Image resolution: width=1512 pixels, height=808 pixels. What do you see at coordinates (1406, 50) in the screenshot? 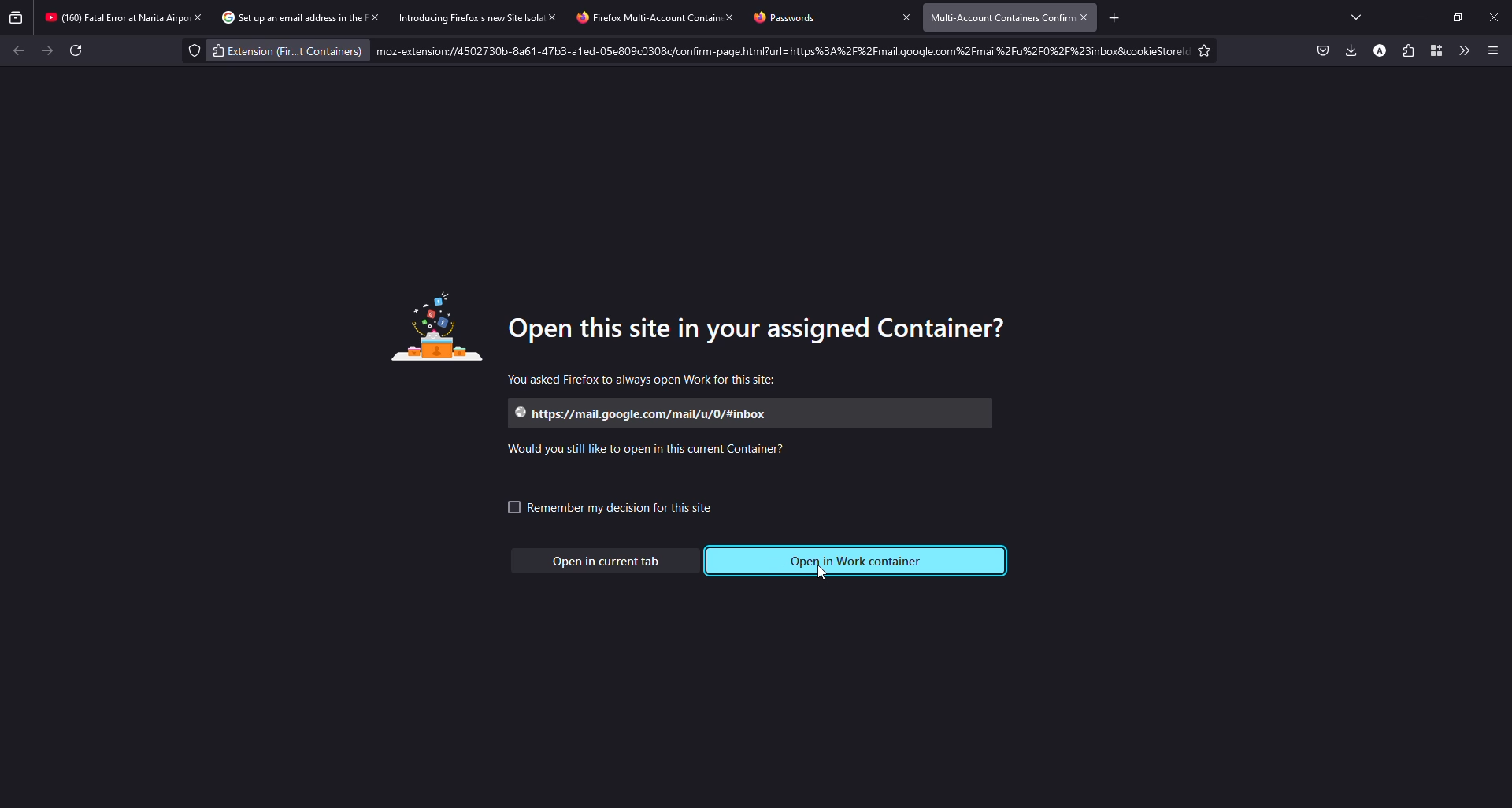
I see `extensions` at bounding box center [1406, 50].